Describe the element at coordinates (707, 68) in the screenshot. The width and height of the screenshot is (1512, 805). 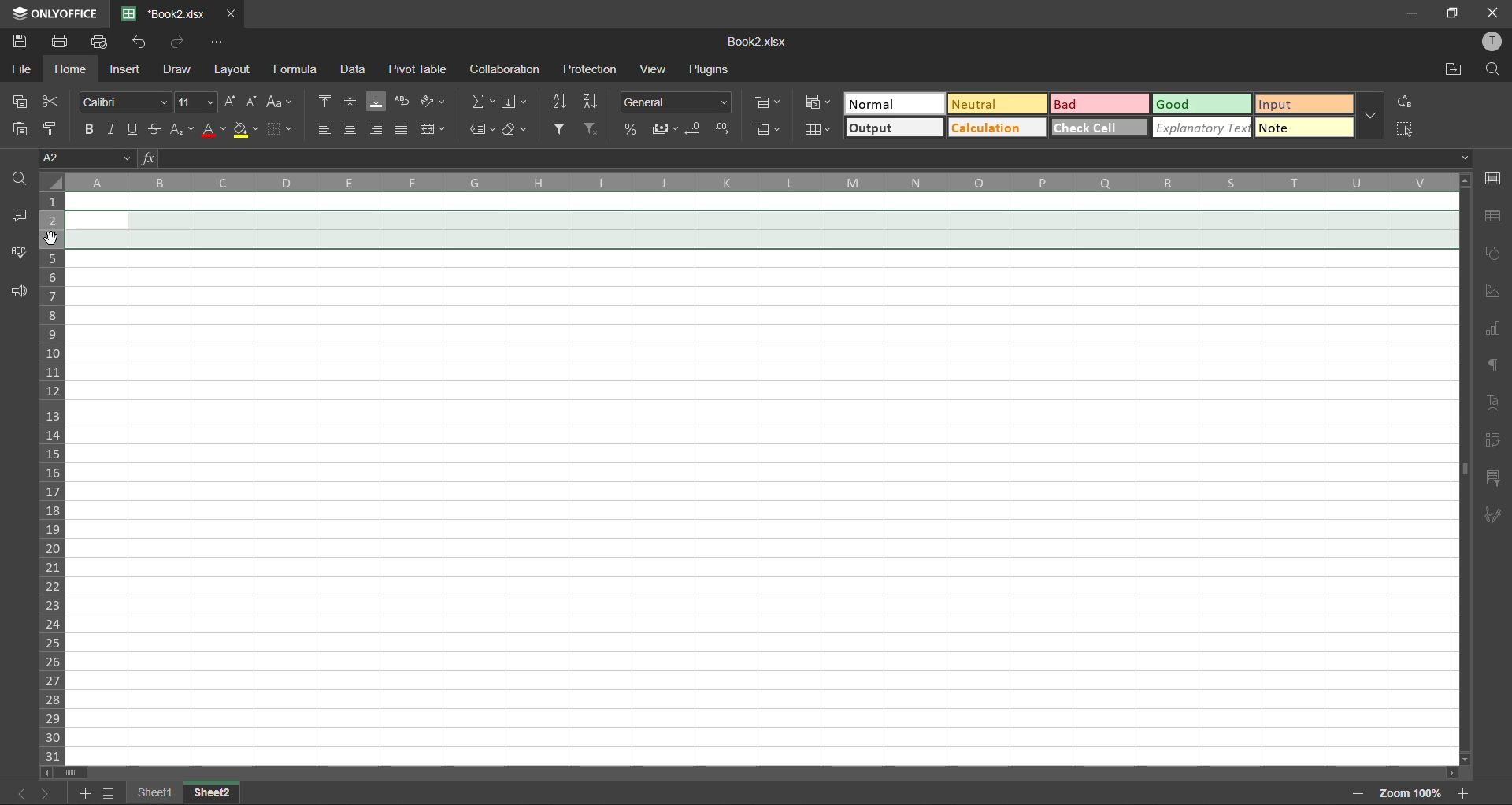
I see `plugins` at that location.